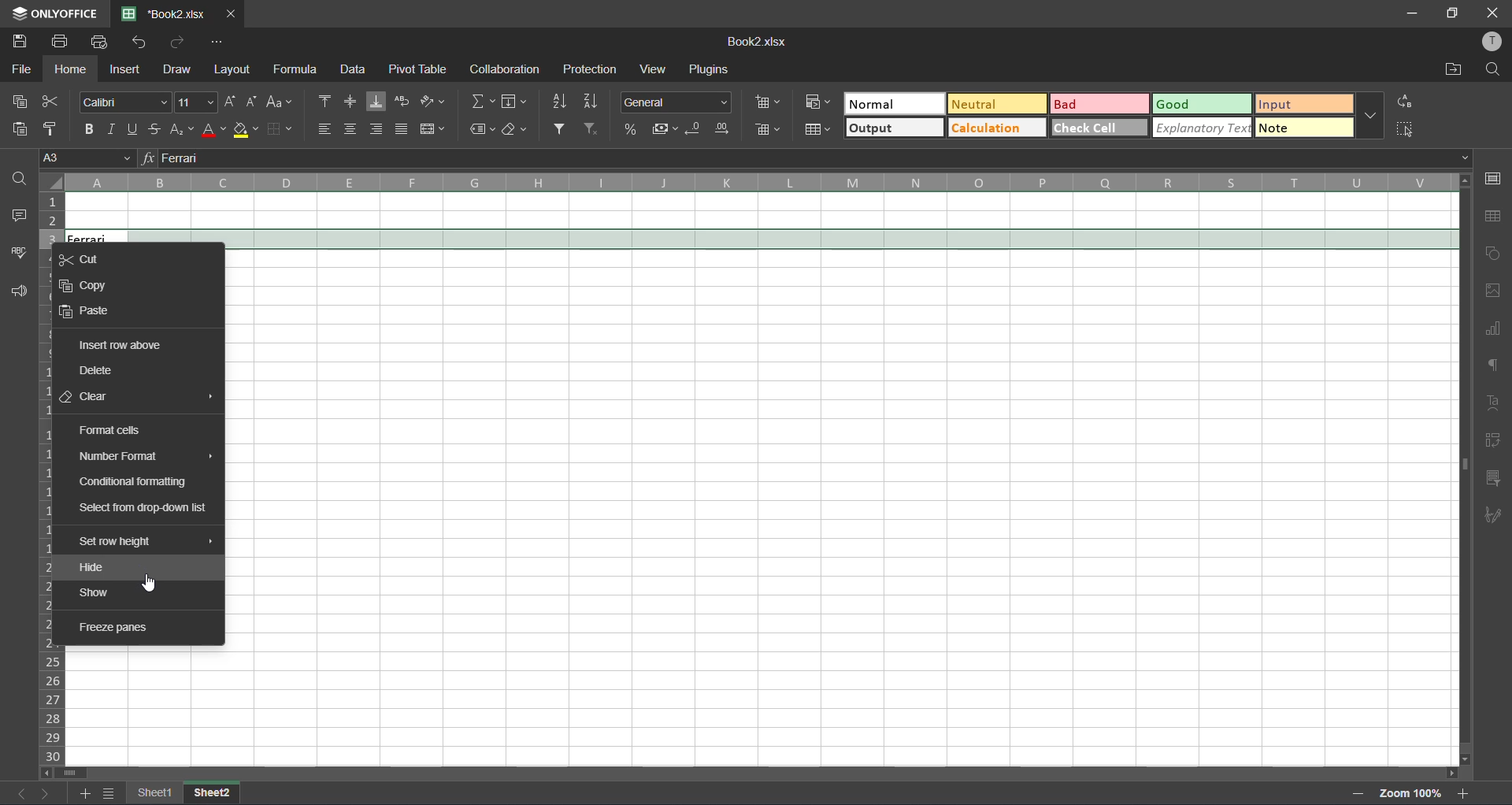 This screenshot has width=1512, height=805. Describe the element at coordinates (1496, 12) in the screenshot. I see `close` at that location.